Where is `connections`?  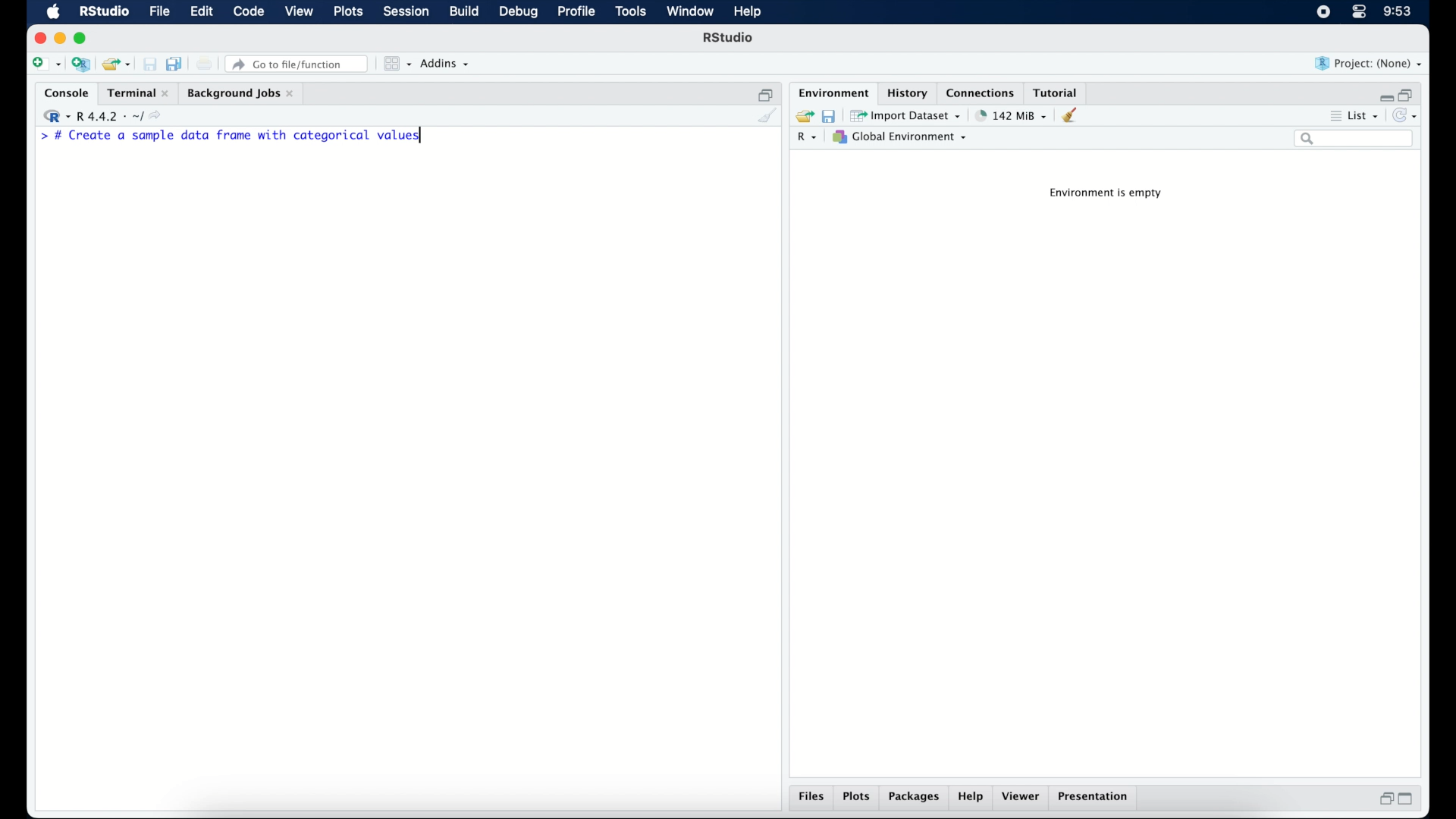 connections is located at coordinates (982, 92).